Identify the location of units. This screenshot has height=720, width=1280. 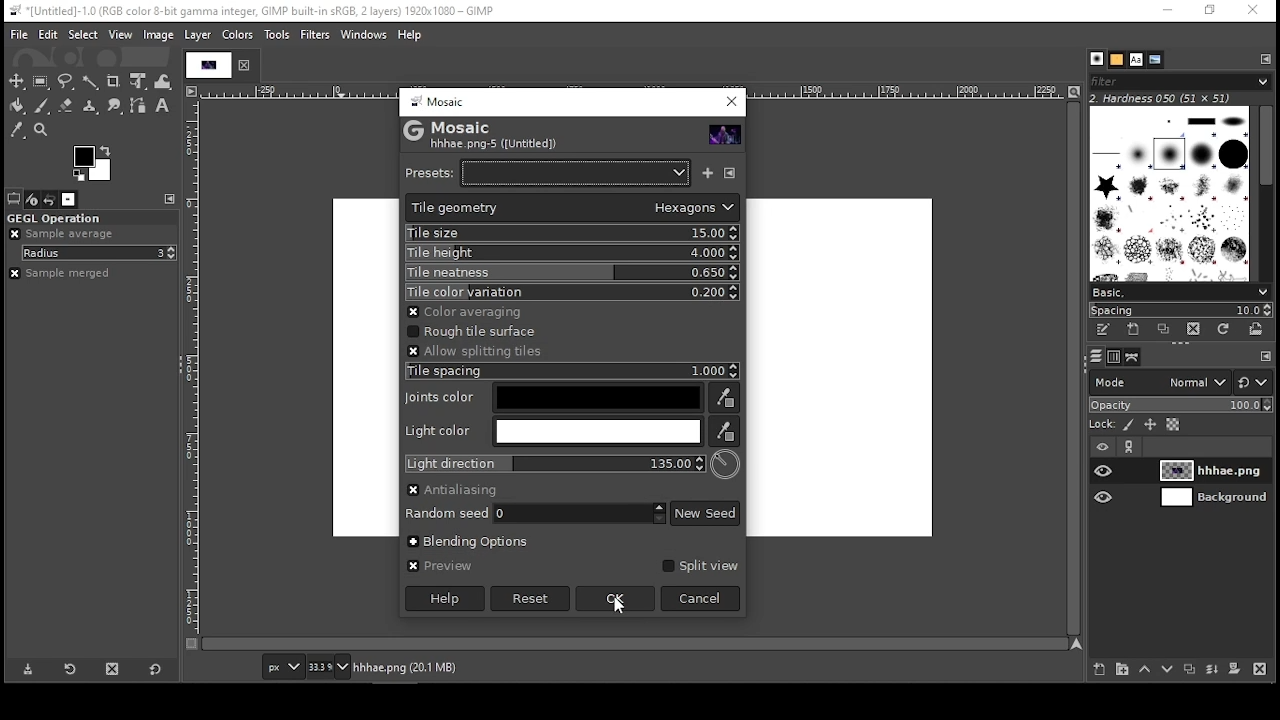
(285, 665).